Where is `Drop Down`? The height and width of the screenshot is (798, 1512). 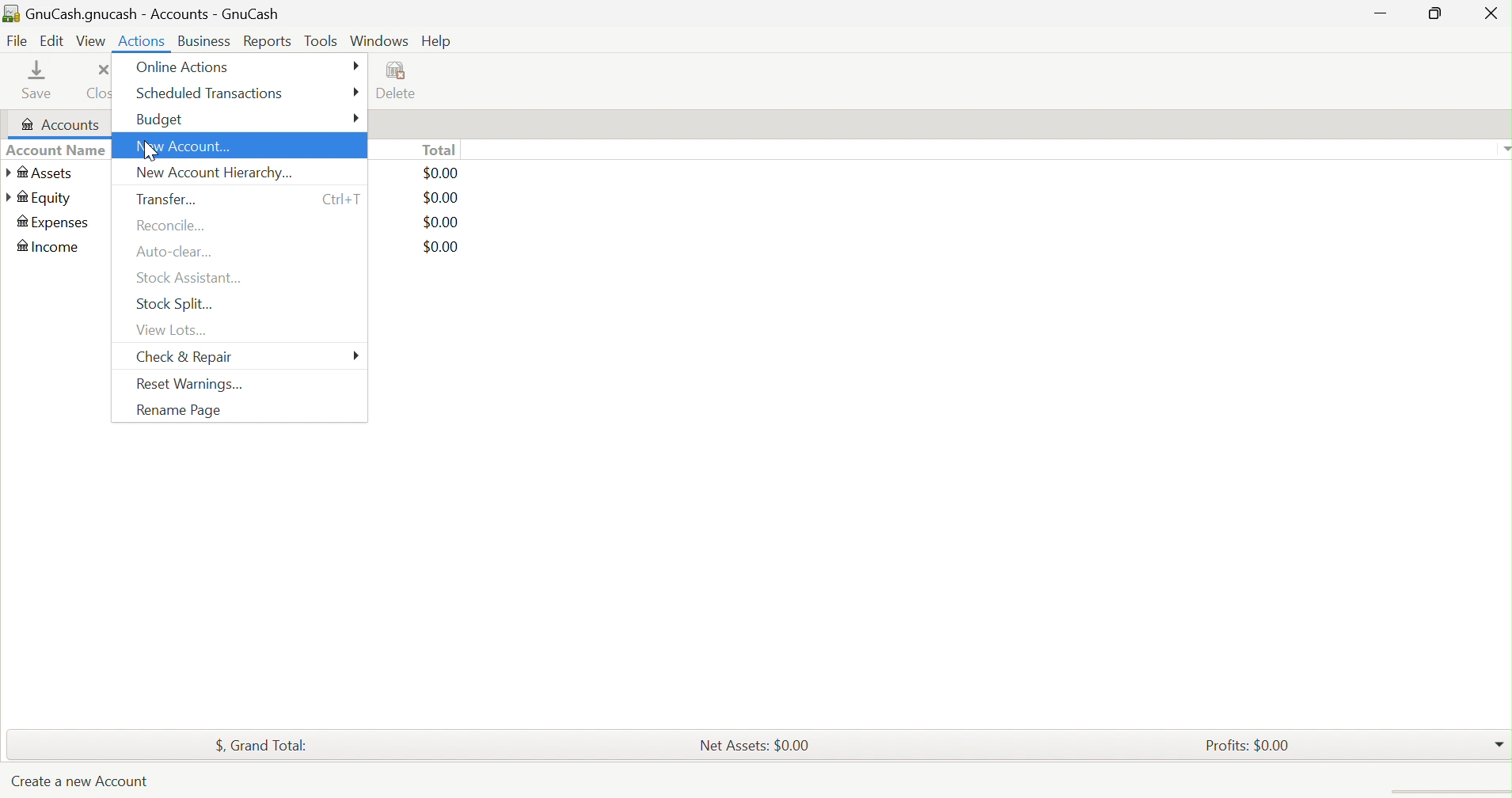 Drop Down is located at coordinates (1503, 148).